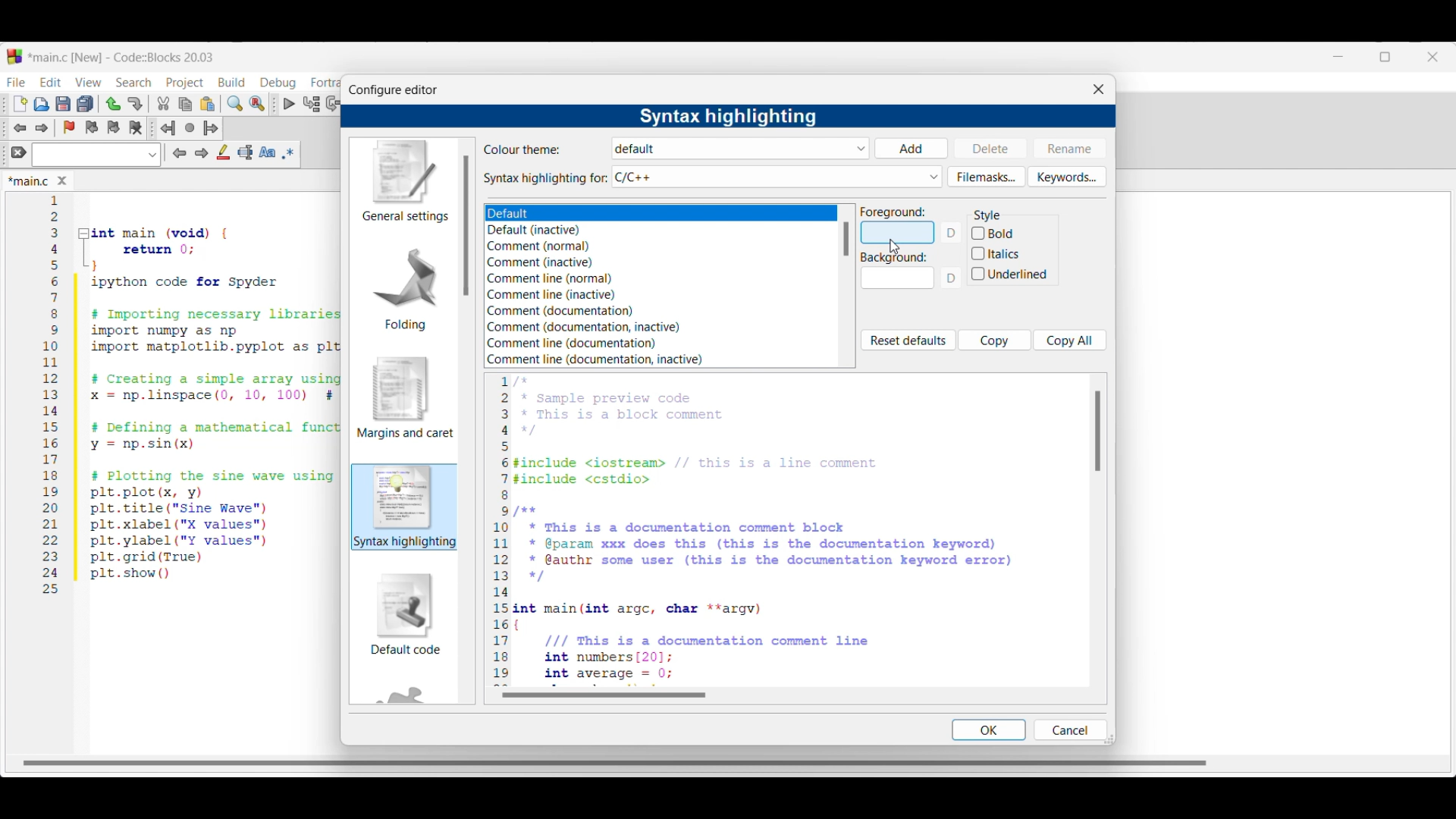 This screenshot has height=819, width=1456. Describe the element at coordinates (1070, 340) in the screenshot. I see `Copy all` at that location.